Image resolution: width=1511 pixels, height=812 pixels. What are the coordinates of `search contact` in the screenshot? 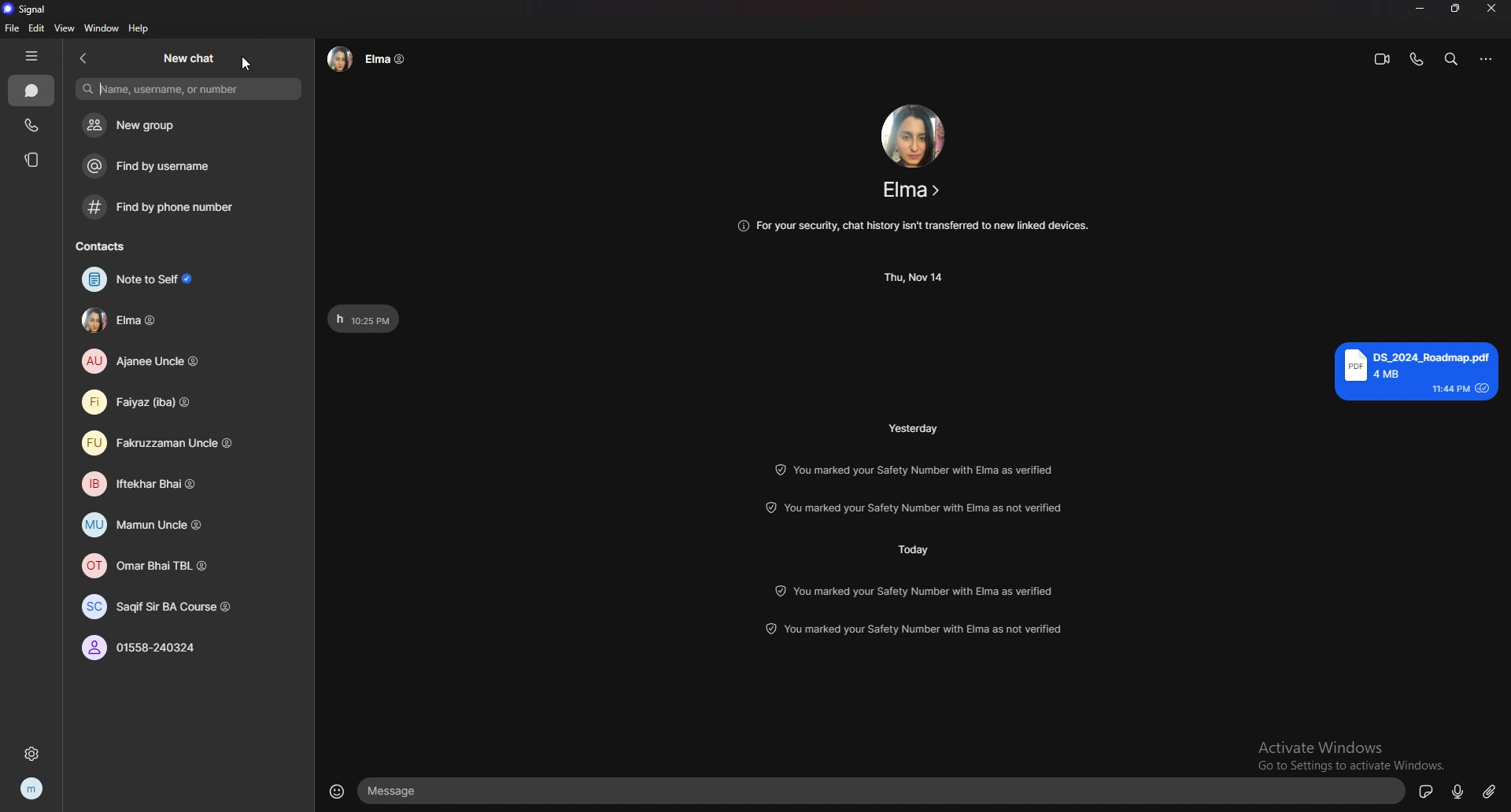 It's located at (190, 89).